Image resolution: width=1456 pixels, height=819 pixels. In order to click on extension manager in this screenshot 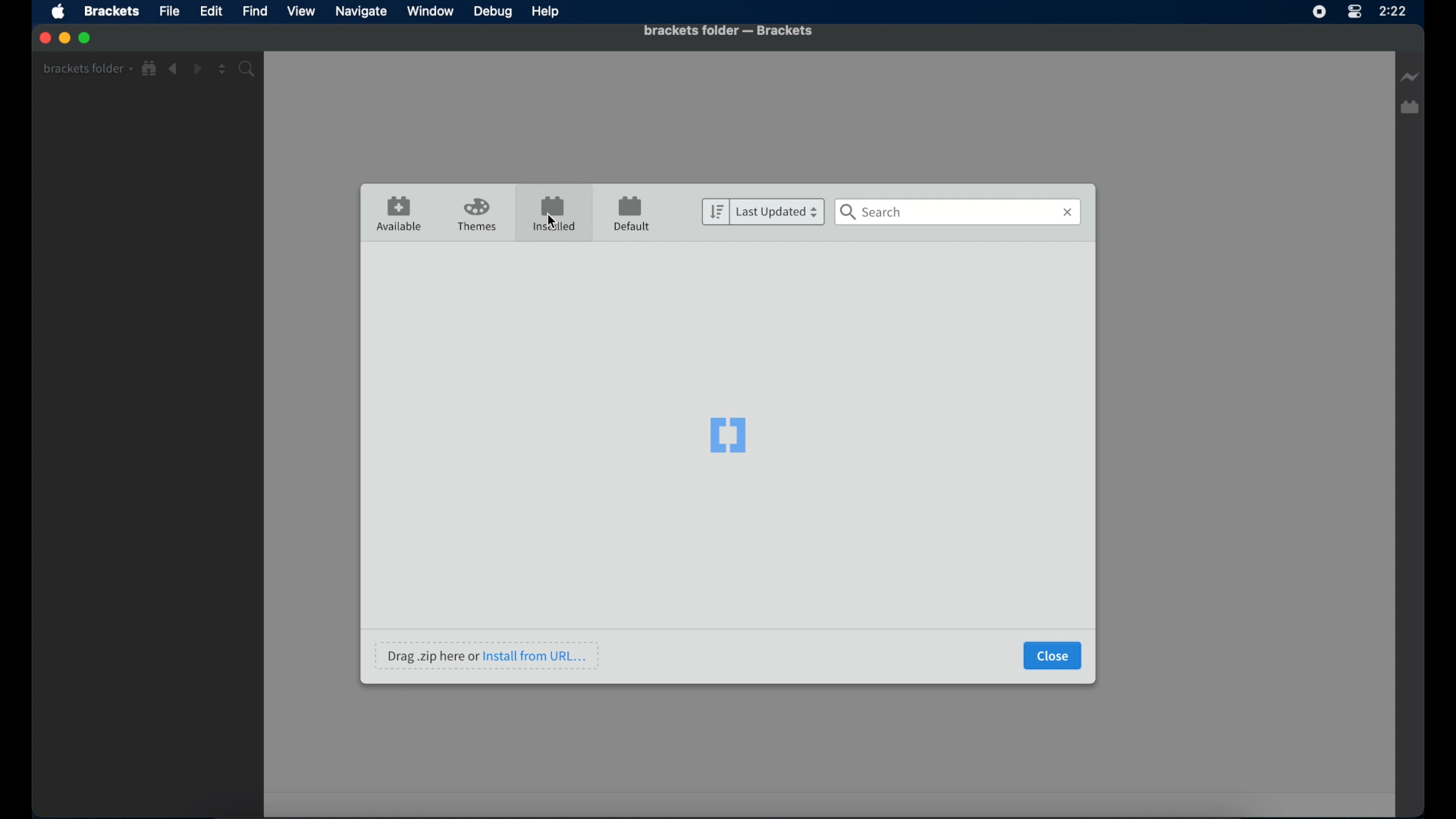, I will do `click(1411, 108)`.